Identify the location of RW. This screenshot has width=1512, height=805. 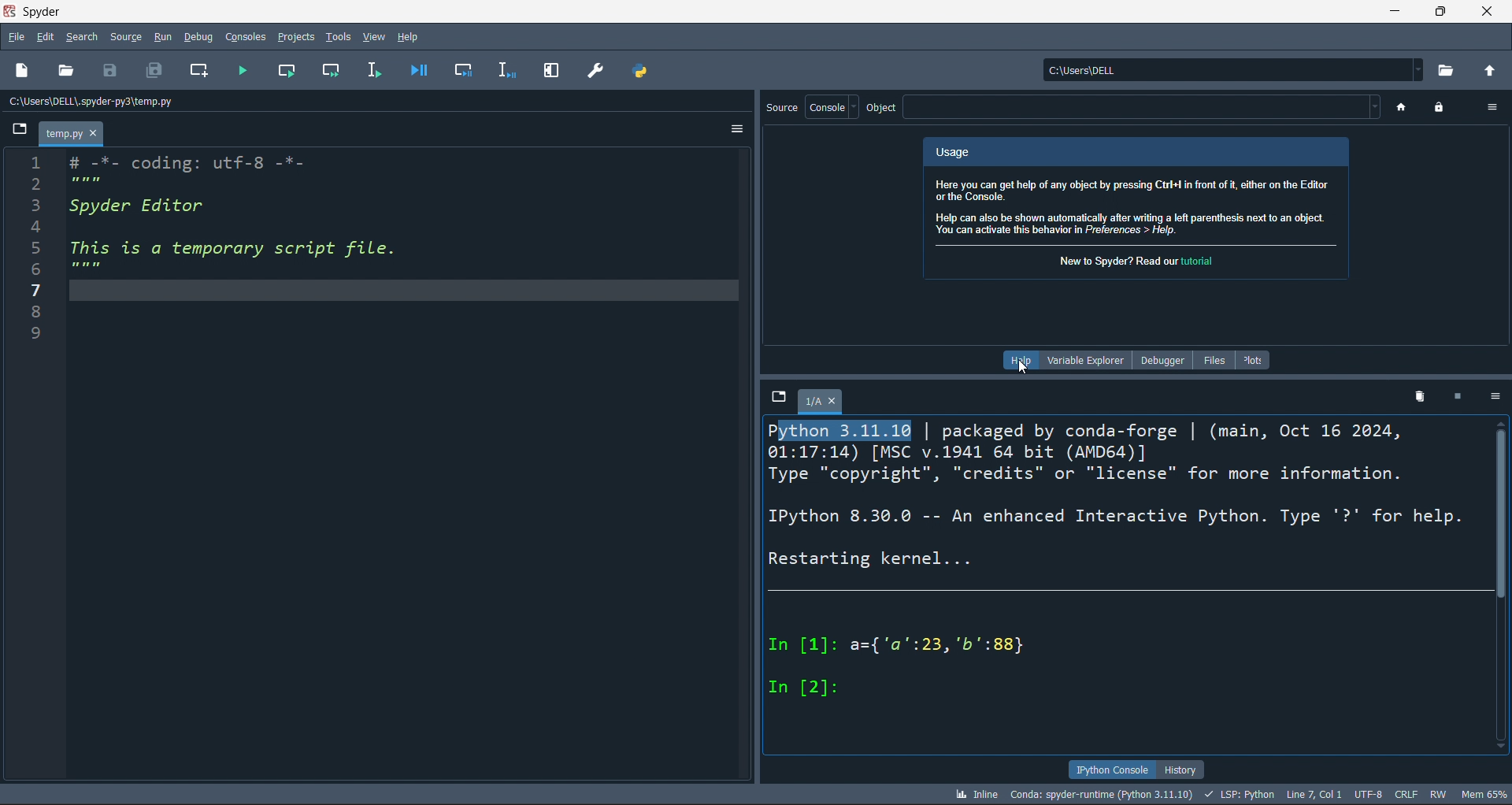
(1435, 794).